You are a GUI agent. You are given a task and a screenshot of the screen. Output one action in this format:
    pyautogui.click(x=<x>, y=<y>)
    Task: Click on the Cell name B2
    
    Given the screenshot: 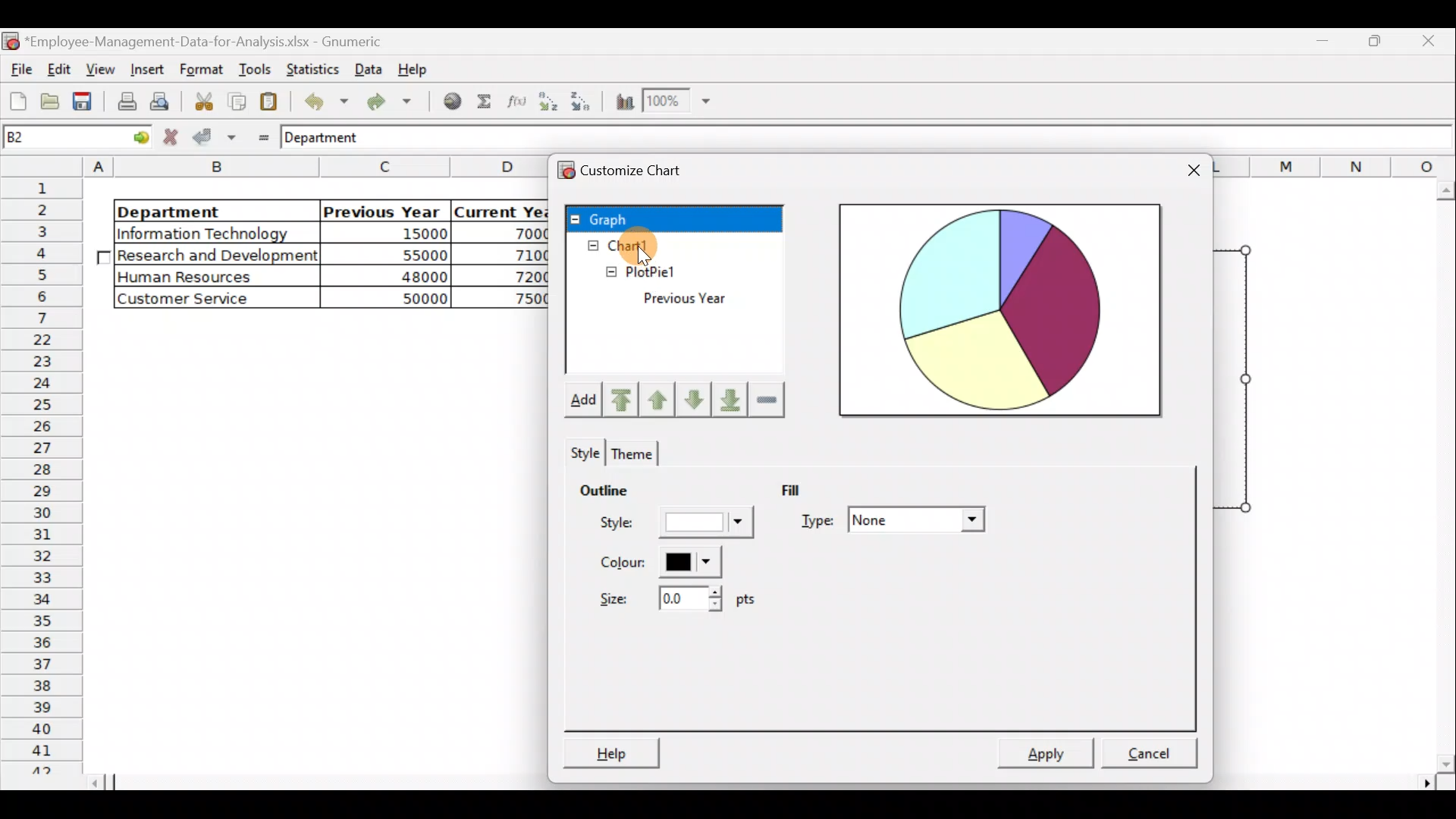 What is the action you would take?
    pyautogui.click(x=51, y=139)
    